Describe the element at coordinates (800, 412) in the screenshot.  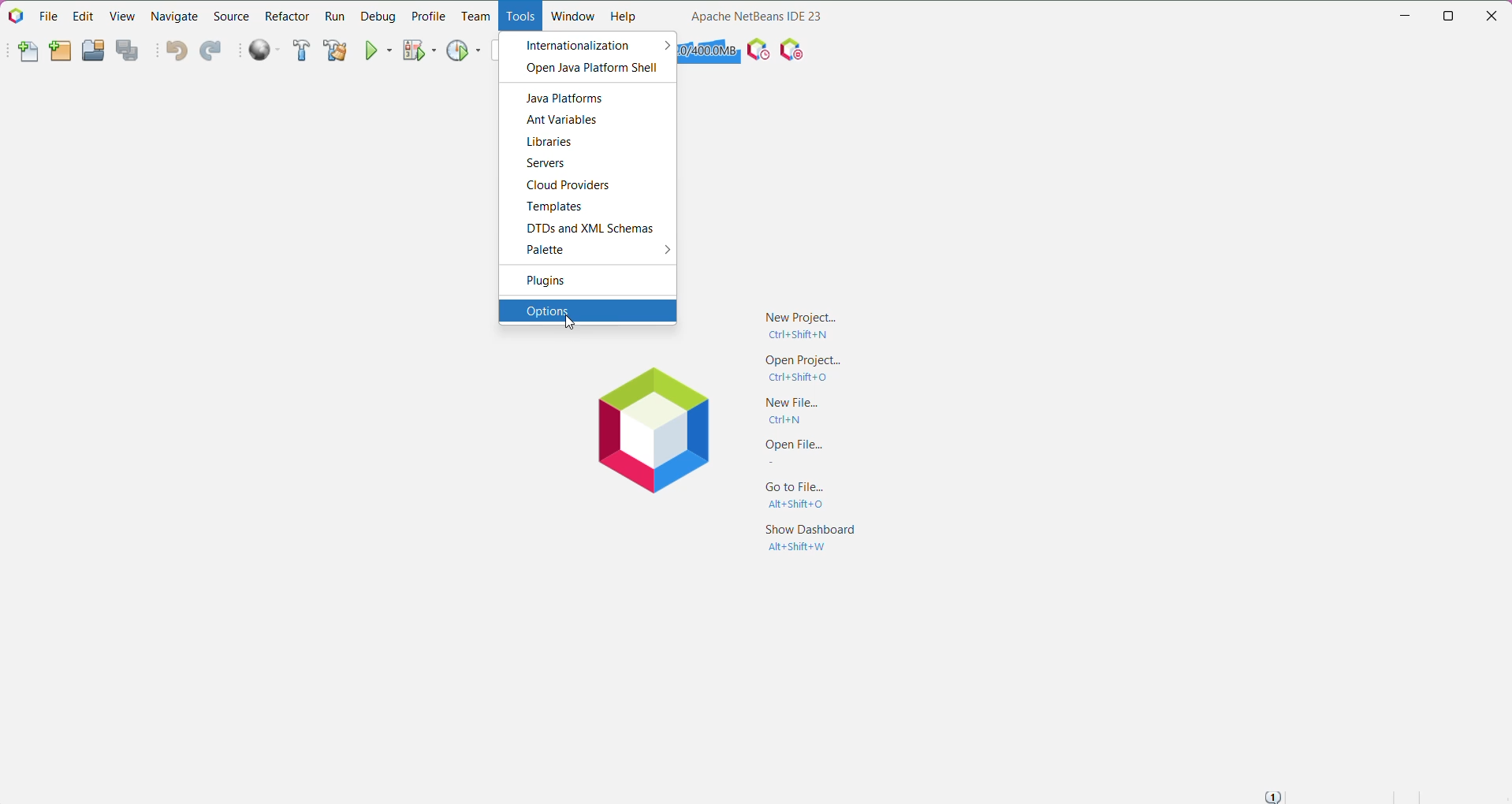
I see `` at that location.